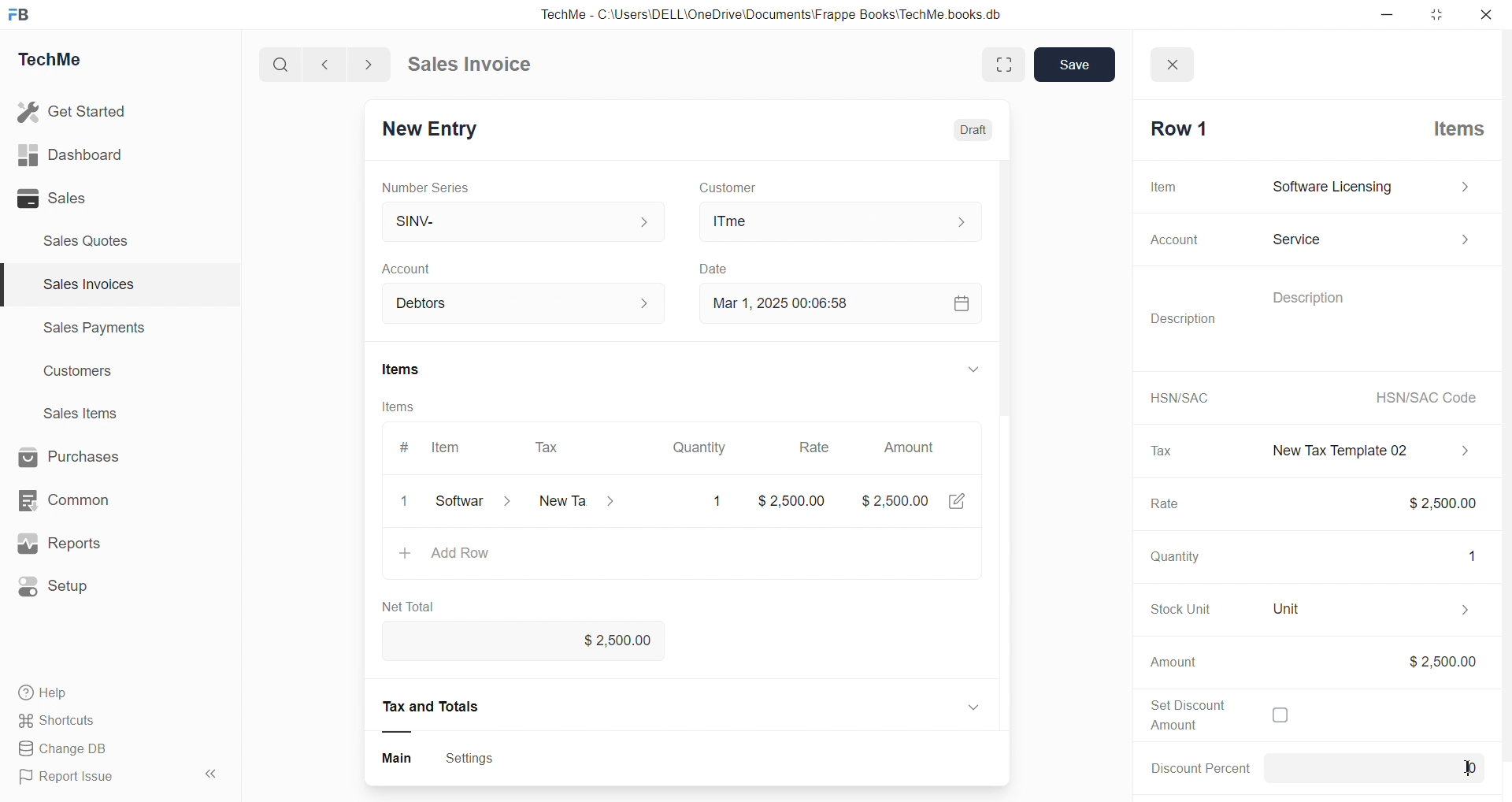 This screenshot has width=1512, height=802. What do you see at coordinates (549, 444) in the screenshot?
I see `Tax` at bounding box center [549, 444].